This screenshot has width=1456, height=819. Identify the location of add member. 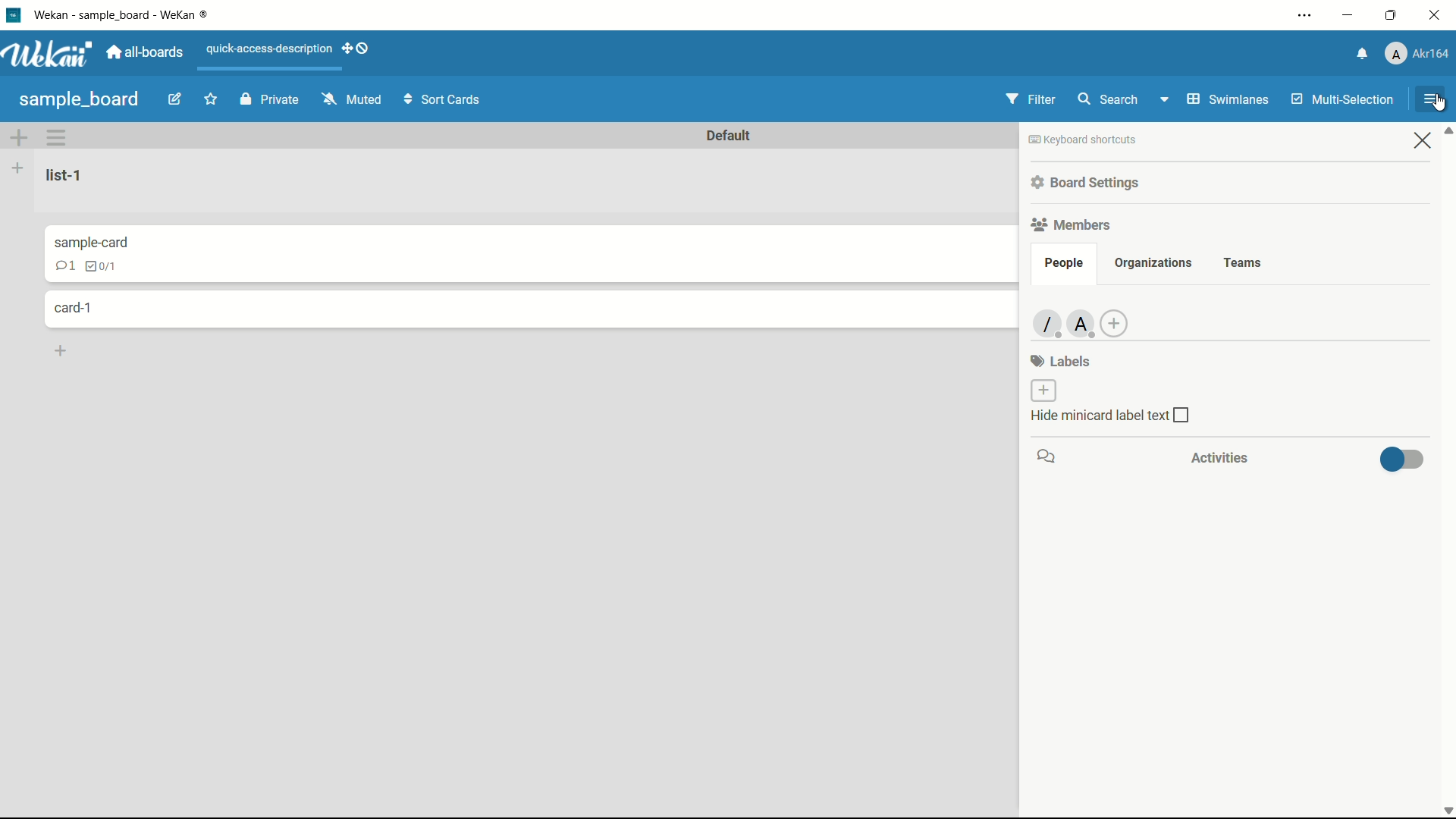
(1116, 324).